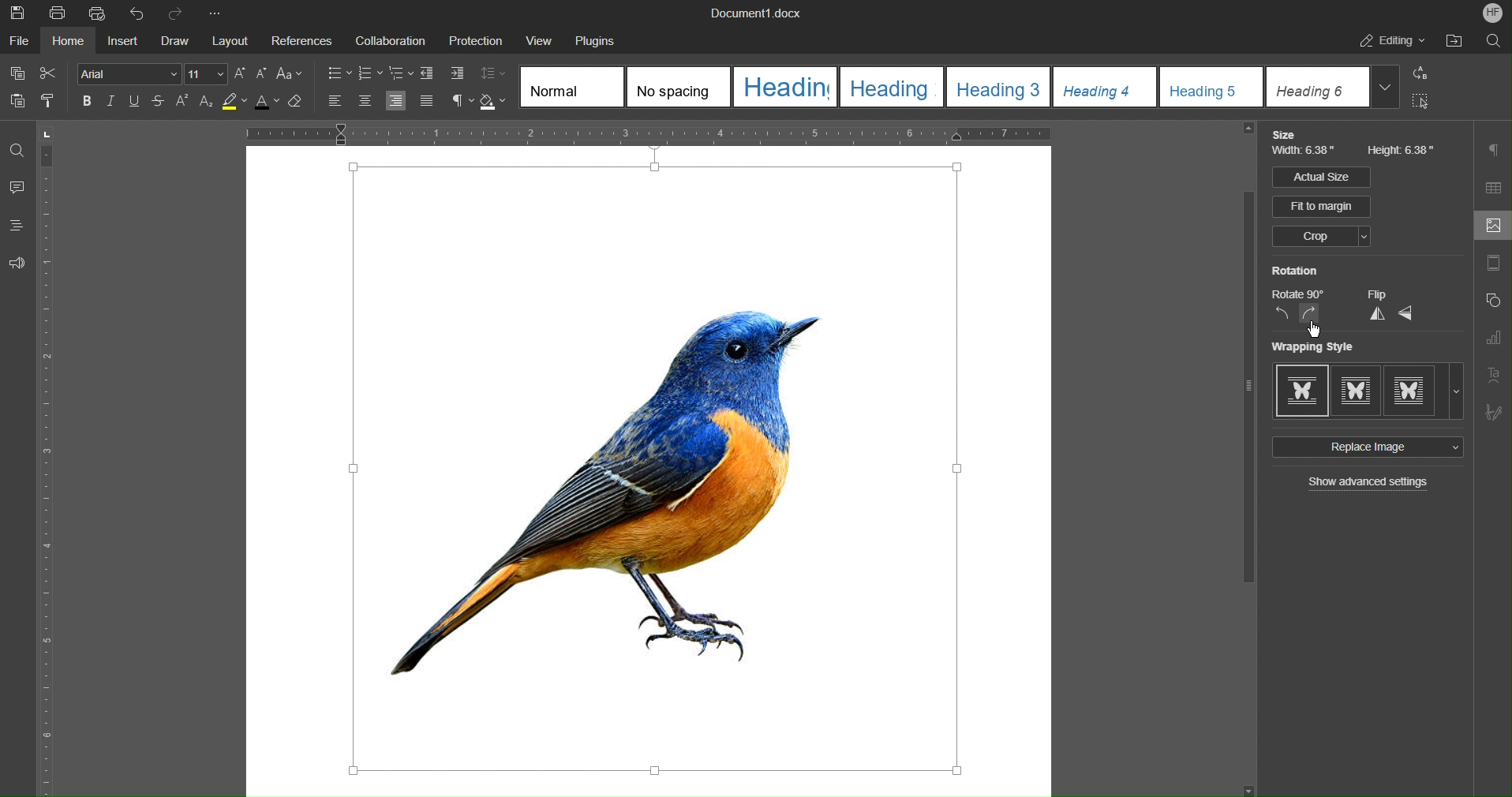 The height and width of the screenshot is (797, 1512). I want to click on Text Color, so click(266, 103).